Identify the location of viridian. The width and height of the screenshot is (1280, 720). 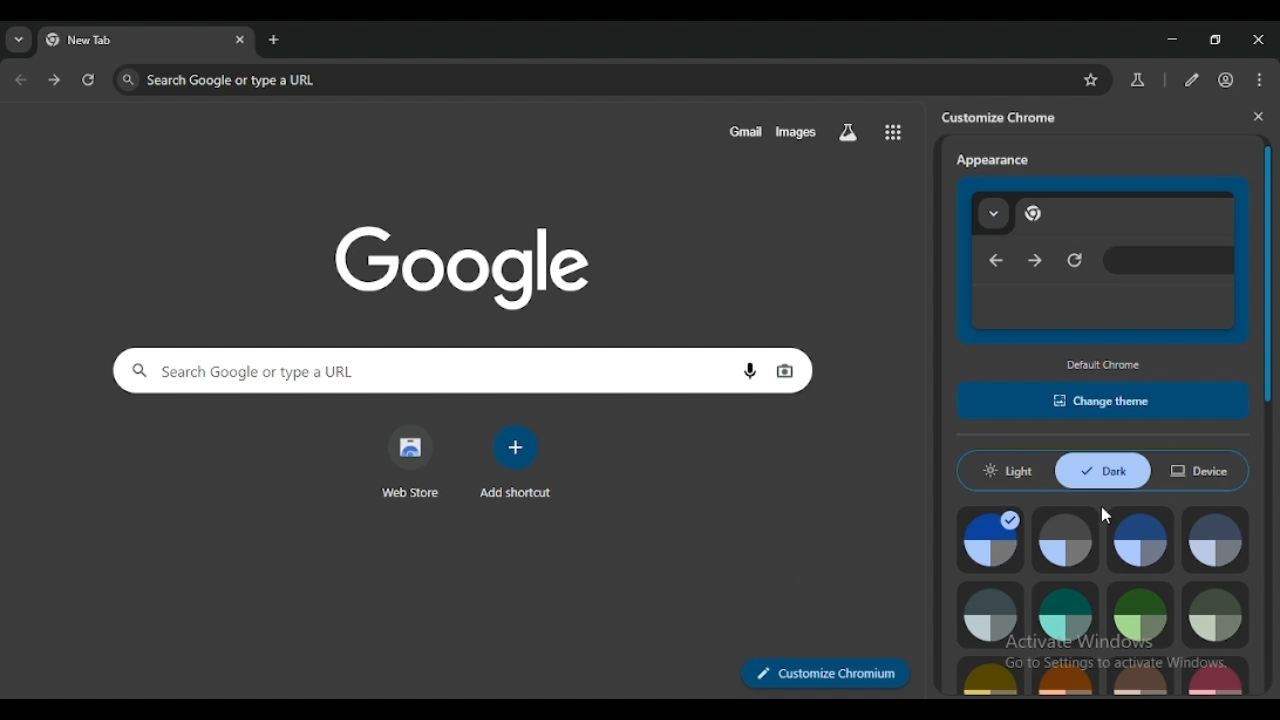
(1215, 615).